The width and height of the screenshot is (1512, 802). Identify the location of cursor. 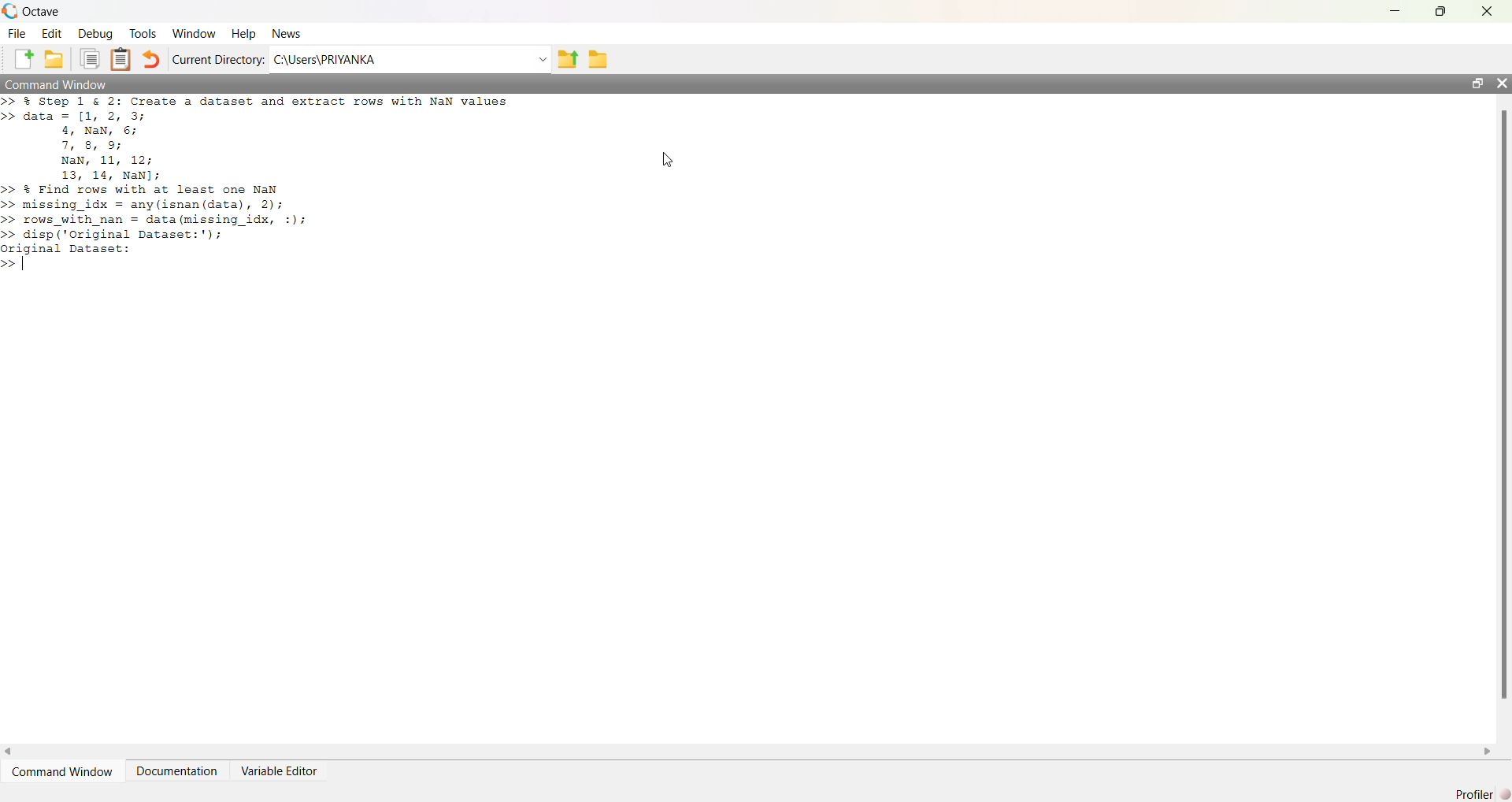
(669, 160).